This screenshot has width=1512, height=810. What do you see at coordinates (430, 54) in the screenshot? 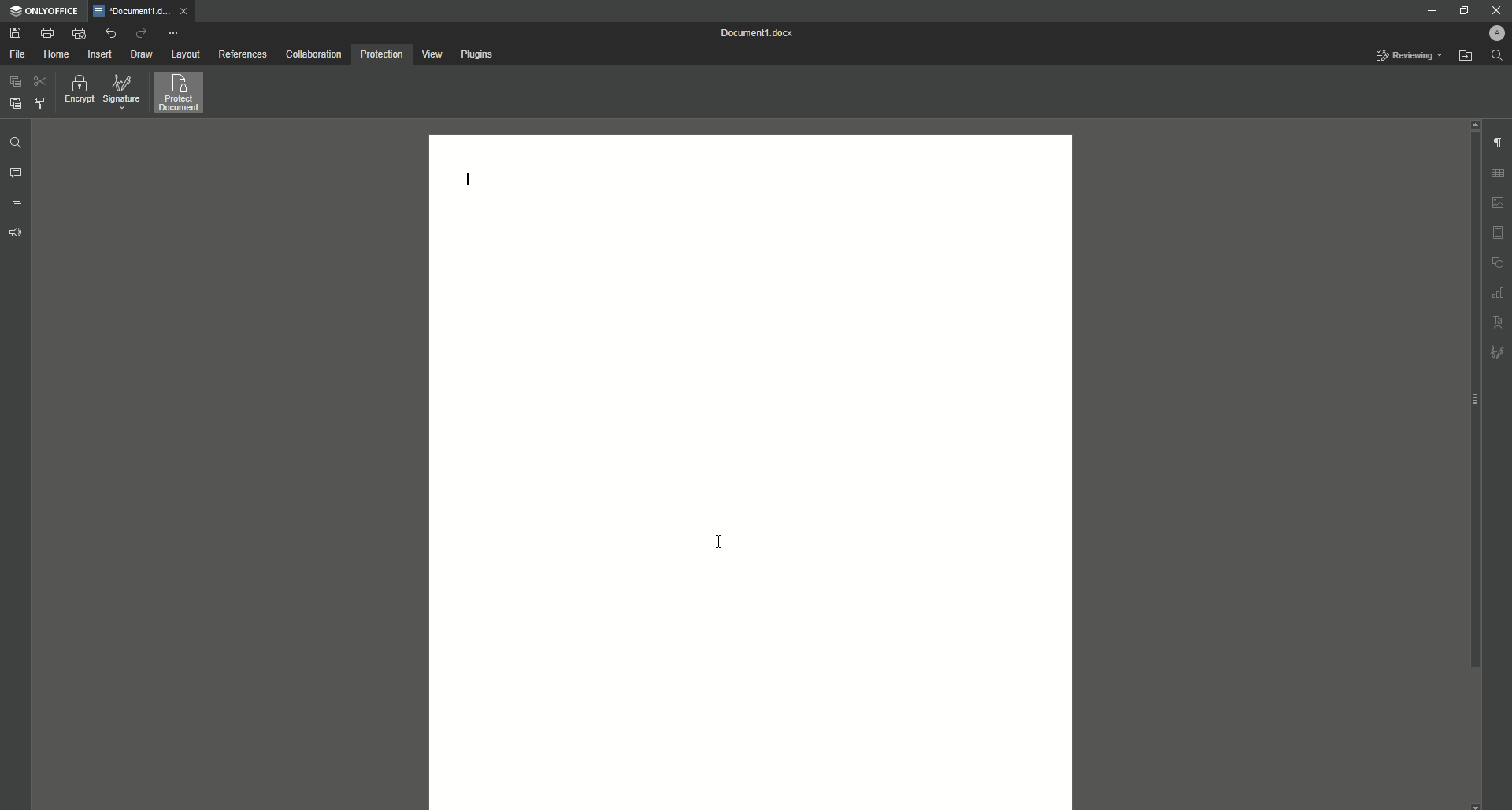
I see `View` at bounding box center [430, 54].